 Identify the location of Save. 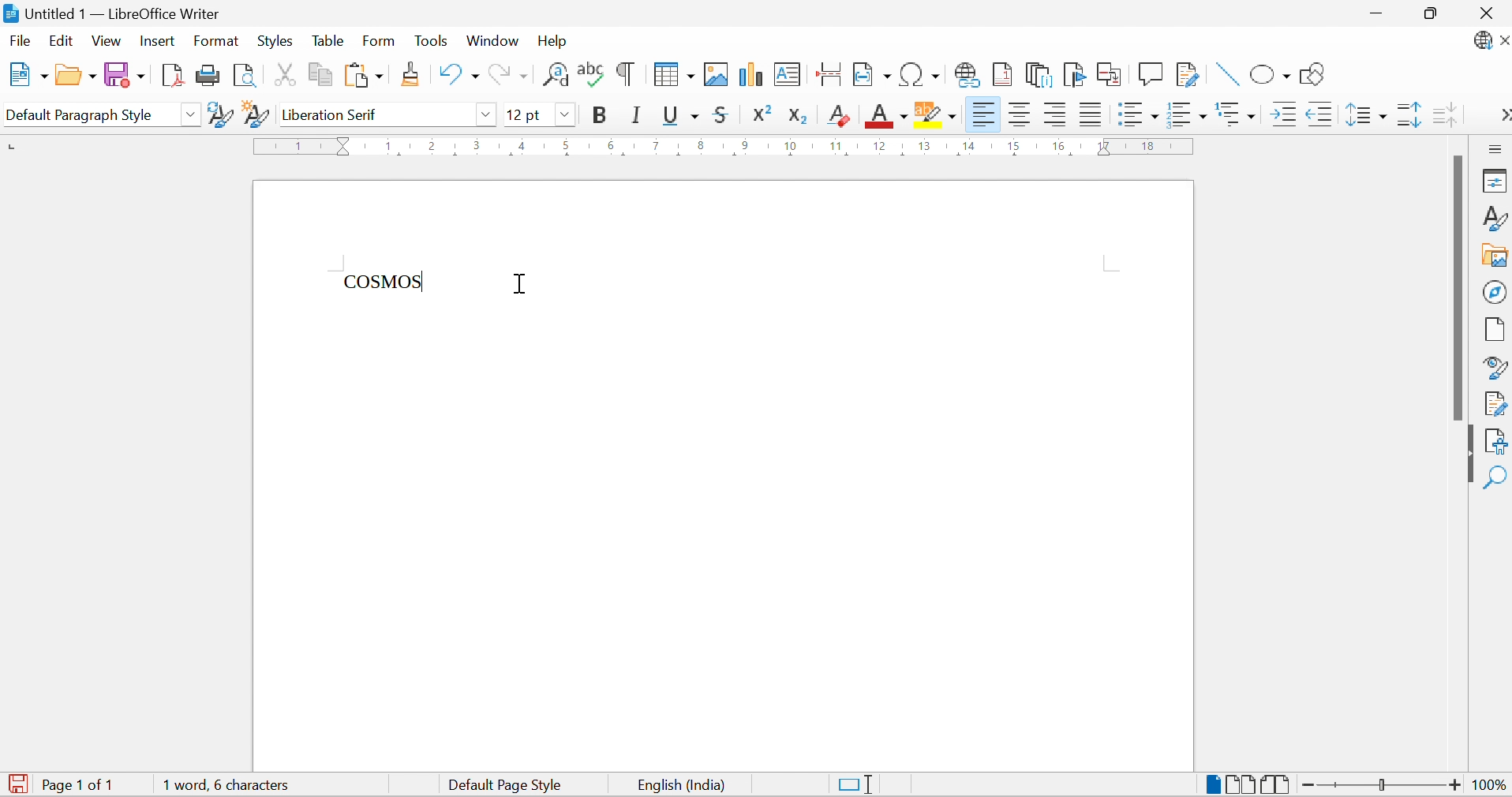
(123, 74).